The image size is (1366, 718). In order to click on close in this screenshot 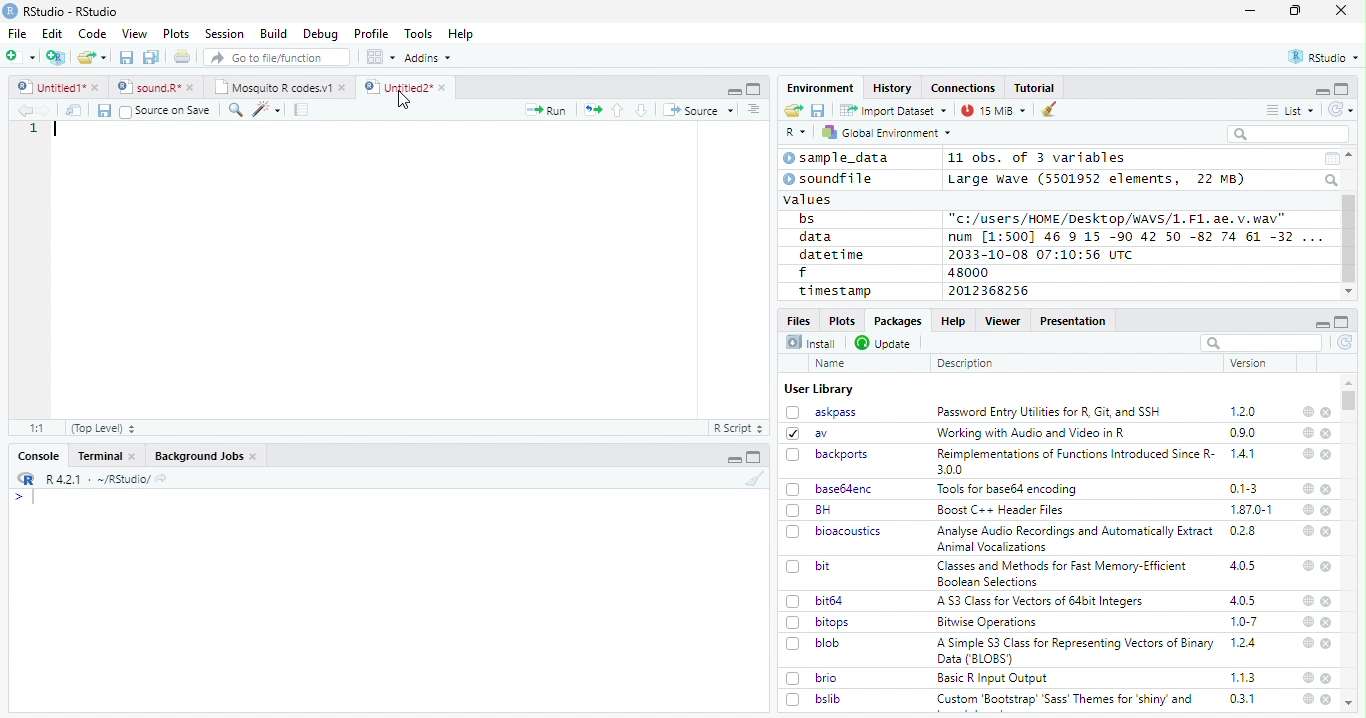, I will do `click(1328, 602)`.